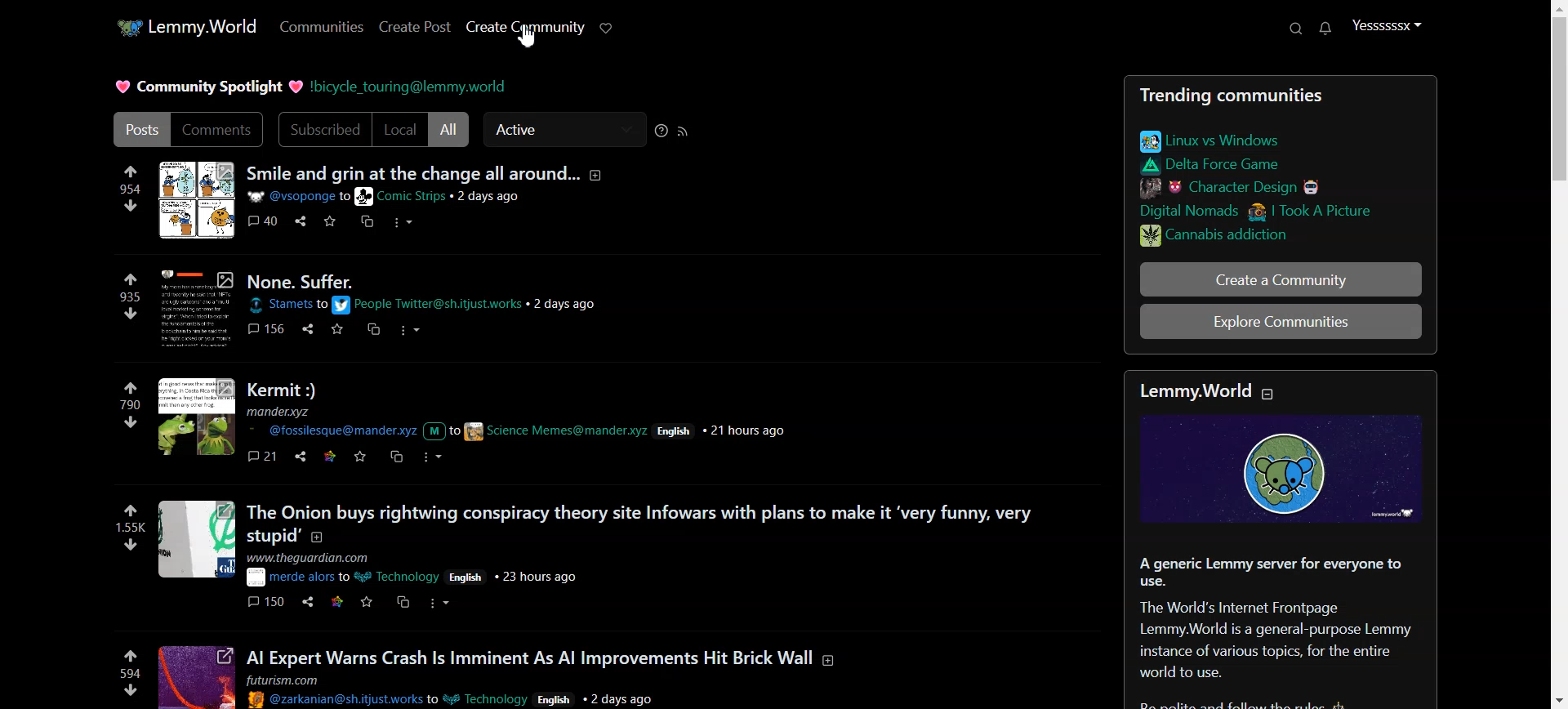  I want to click on downvote, so click(131, 421).